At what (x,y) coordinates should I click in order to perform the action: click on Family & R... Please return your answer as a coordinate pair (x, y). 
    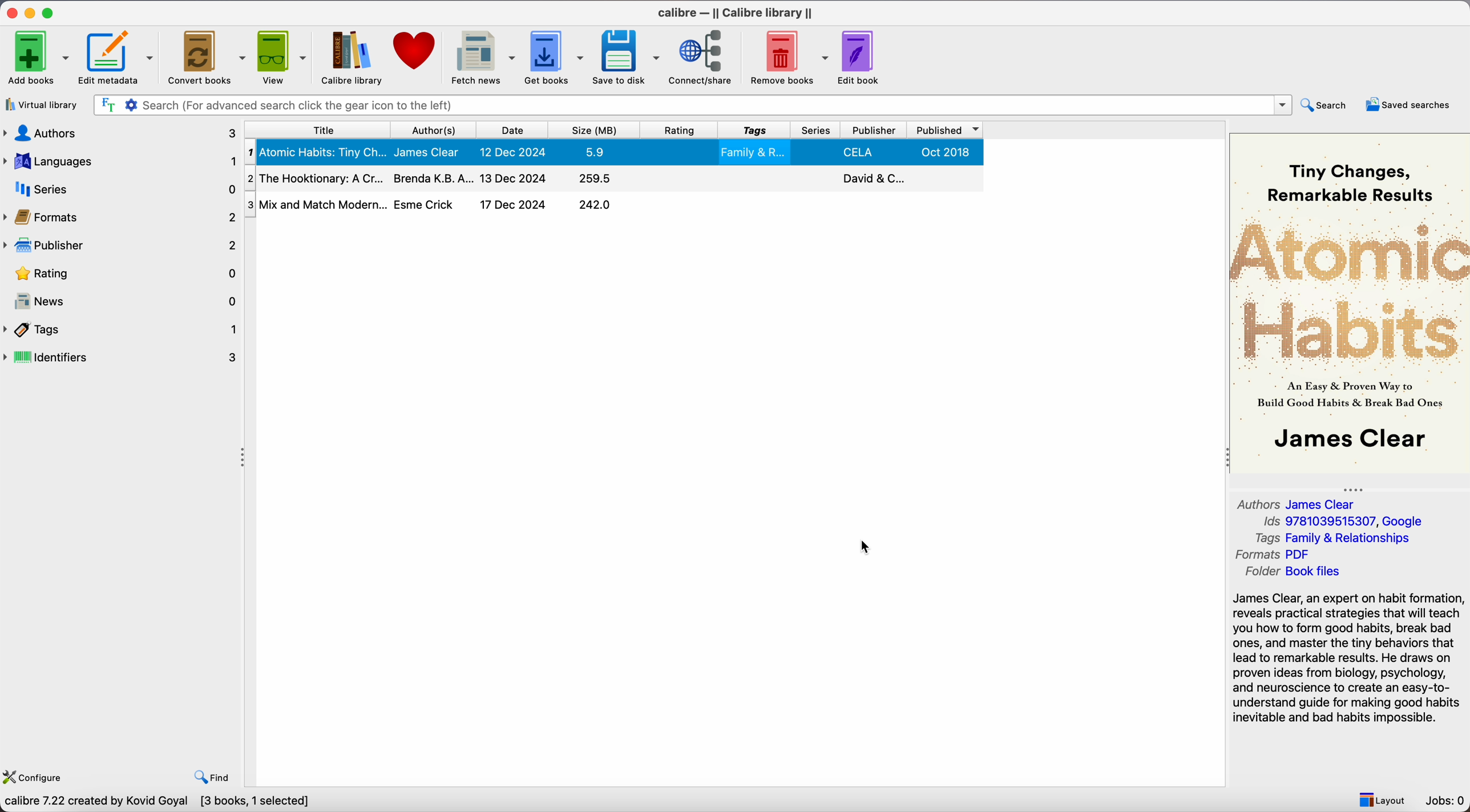
    Looking at the image, I should click on (751, 152).